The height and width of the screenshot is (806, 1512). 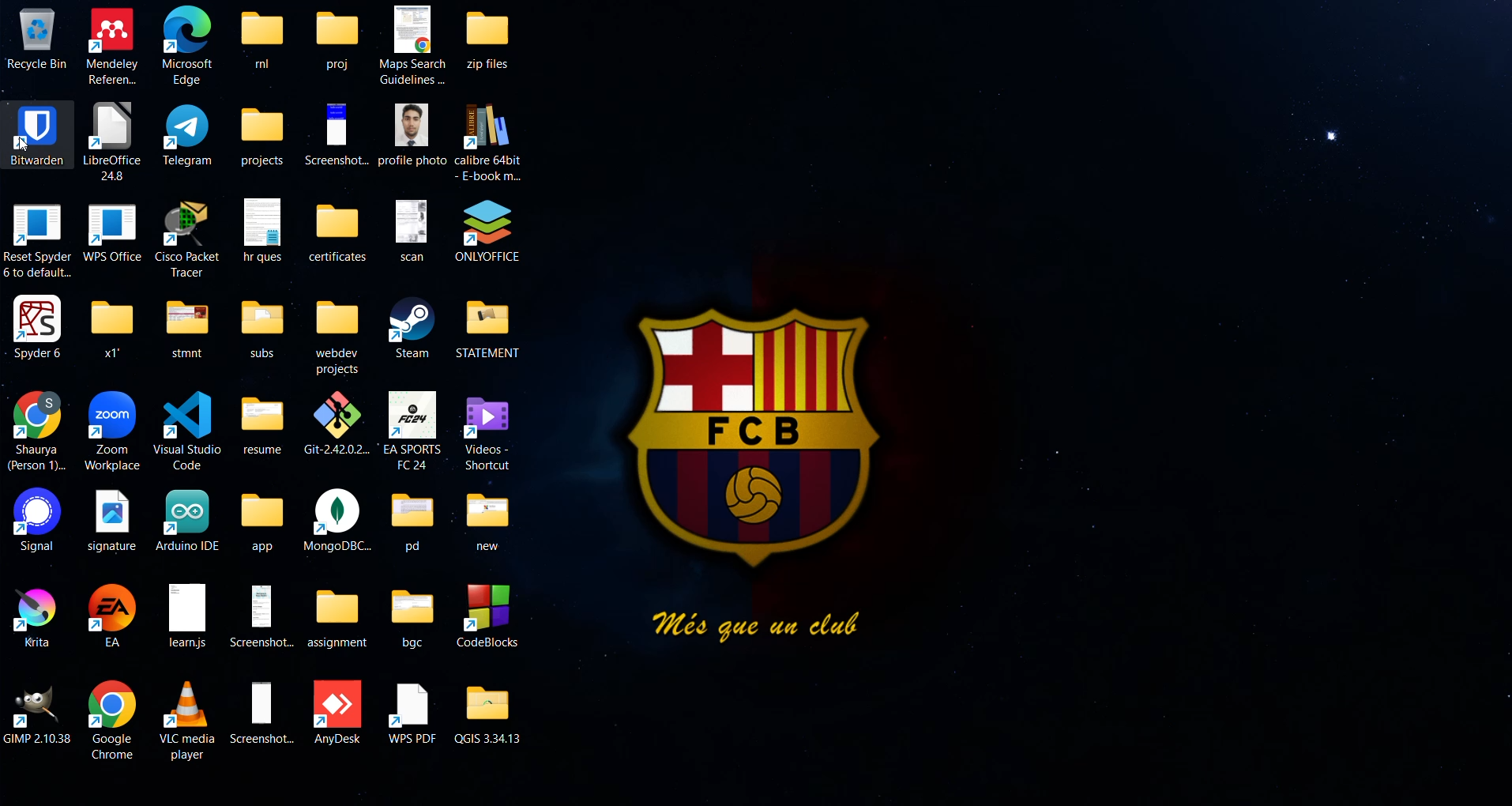 I want to click on Telegram, so click(x=189, y=134).